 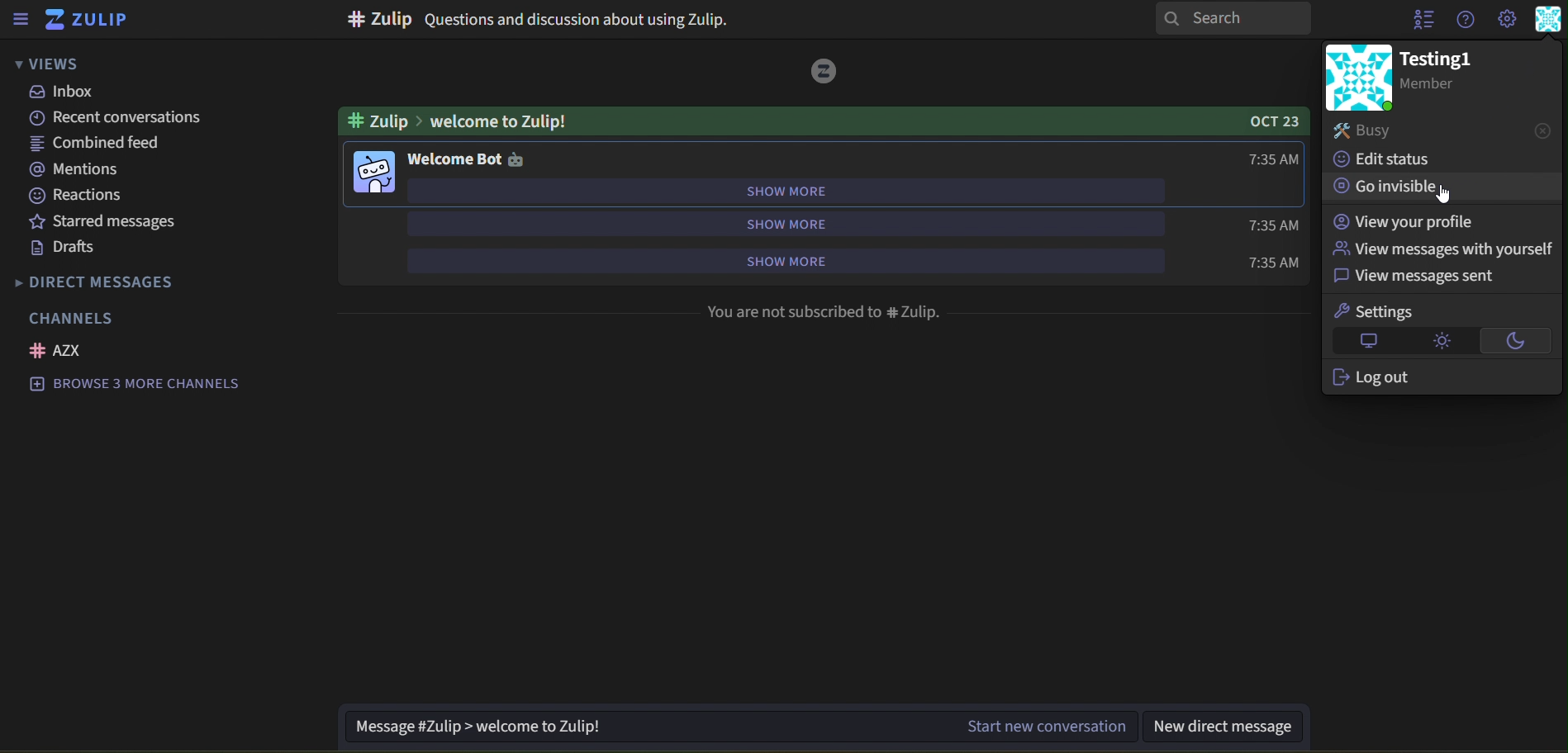 What do you see at coordinates (59, 64) in the screenshot?
I see `views` at bounding box center [59, 64].